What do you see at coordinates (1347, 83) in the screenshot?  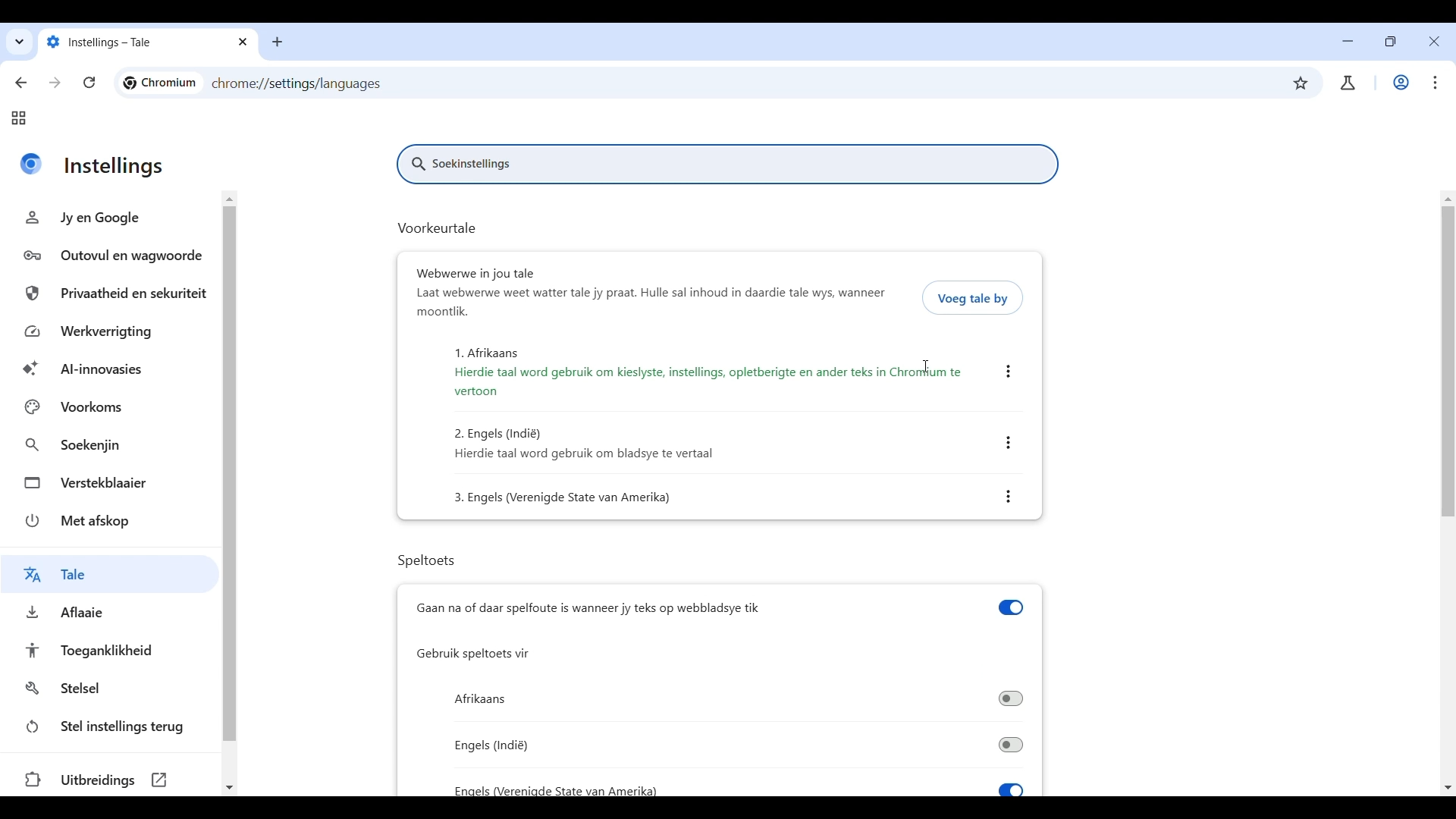 I see `account/user profile` at bounding box center [1347, 83].